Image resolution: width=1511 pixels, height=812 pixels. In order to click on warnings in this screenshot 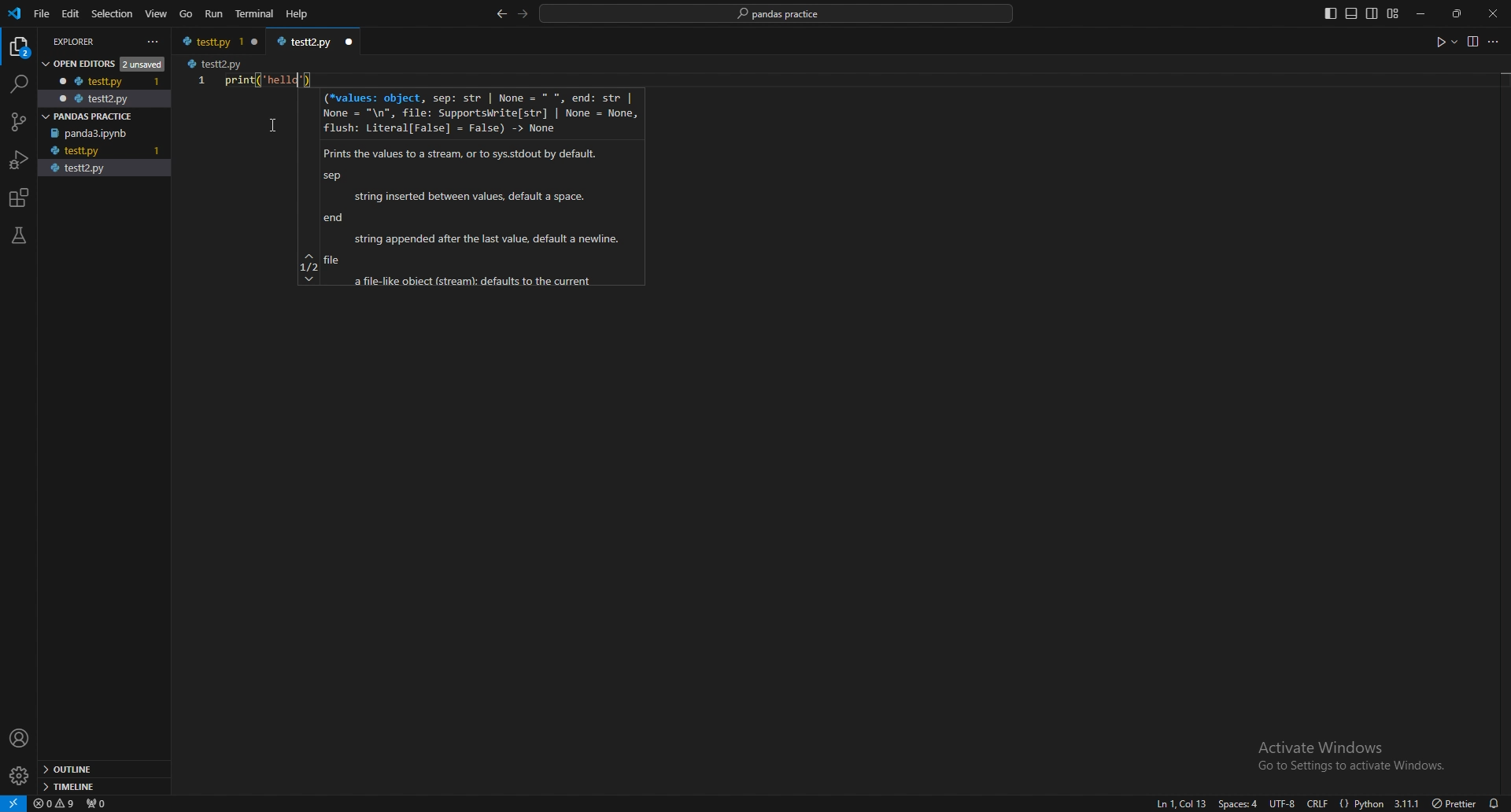, I will do `click(55, 803)`.